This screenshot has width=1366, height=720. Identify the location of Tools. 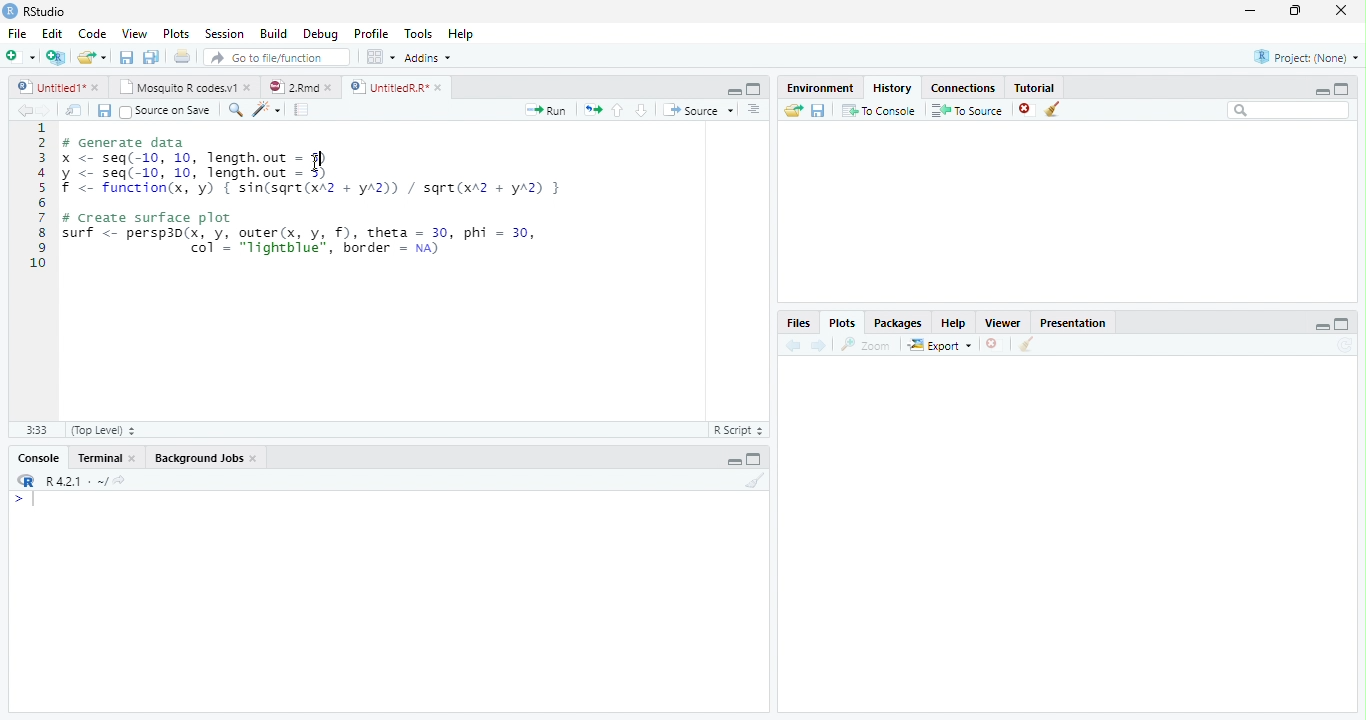
(416, 32).